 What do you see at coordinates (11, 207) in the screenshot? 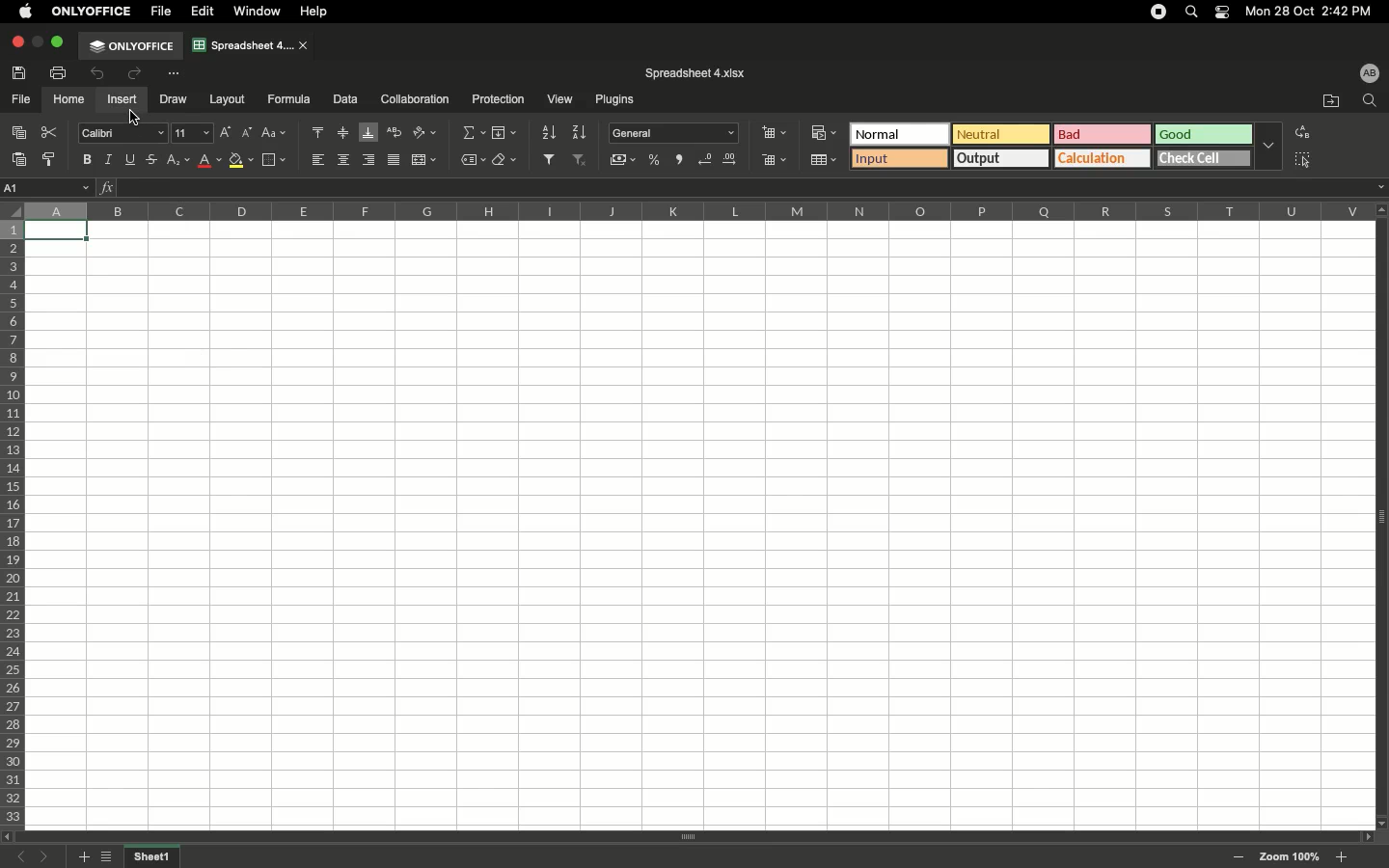
I see `Selector` at bounding box center [11, 207].